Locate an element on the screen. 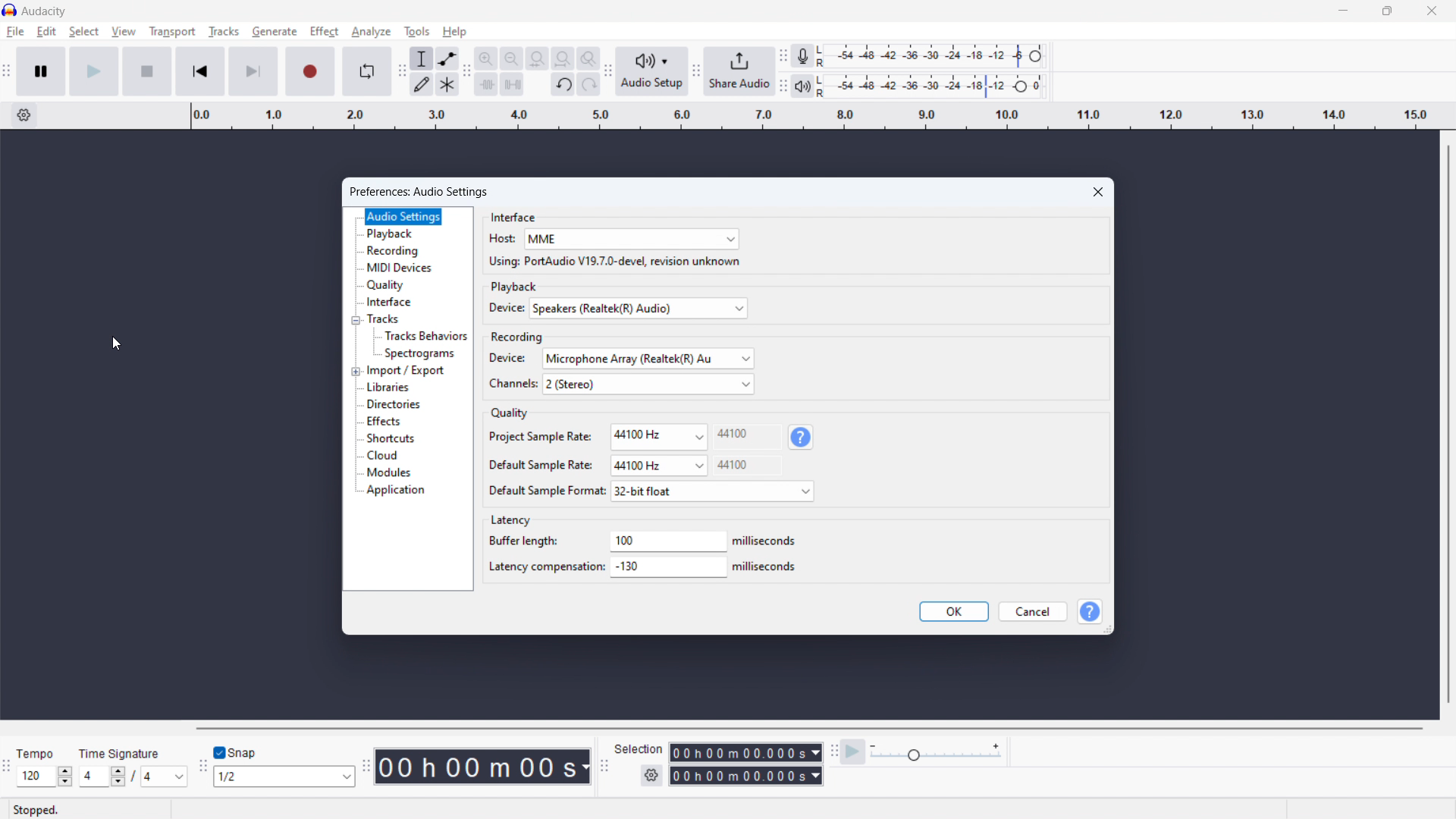 Image resolution: width=1456 pixels, height=819 pixels. miliseconds is located at coordinates (763, 567).